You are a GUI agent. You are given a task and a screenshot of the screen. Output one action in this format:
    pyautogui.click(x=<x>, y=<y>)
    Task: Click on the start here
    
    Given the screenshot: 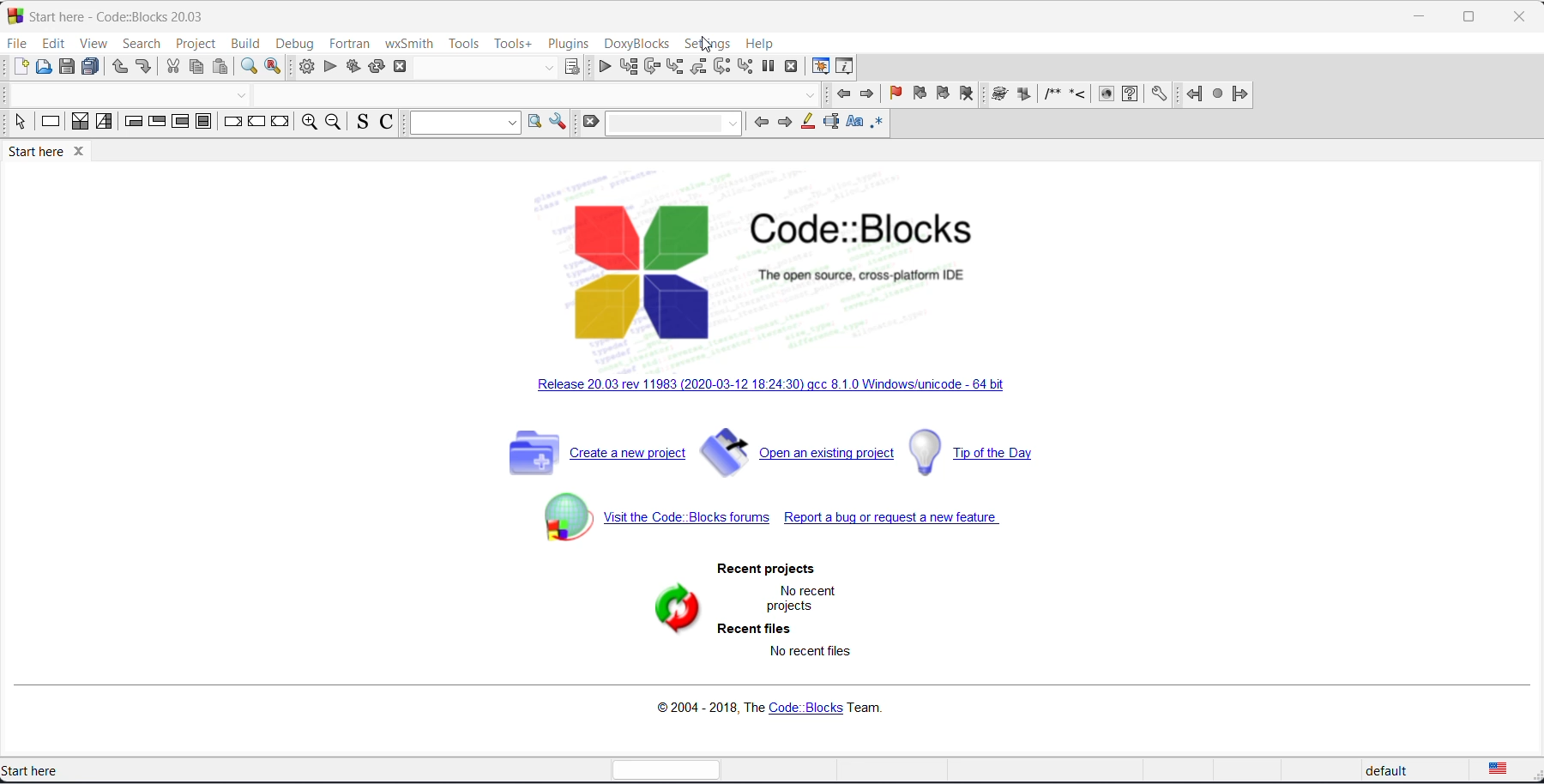 What is the action you would take?
    pyautogui.click(x=38, y=770)
    